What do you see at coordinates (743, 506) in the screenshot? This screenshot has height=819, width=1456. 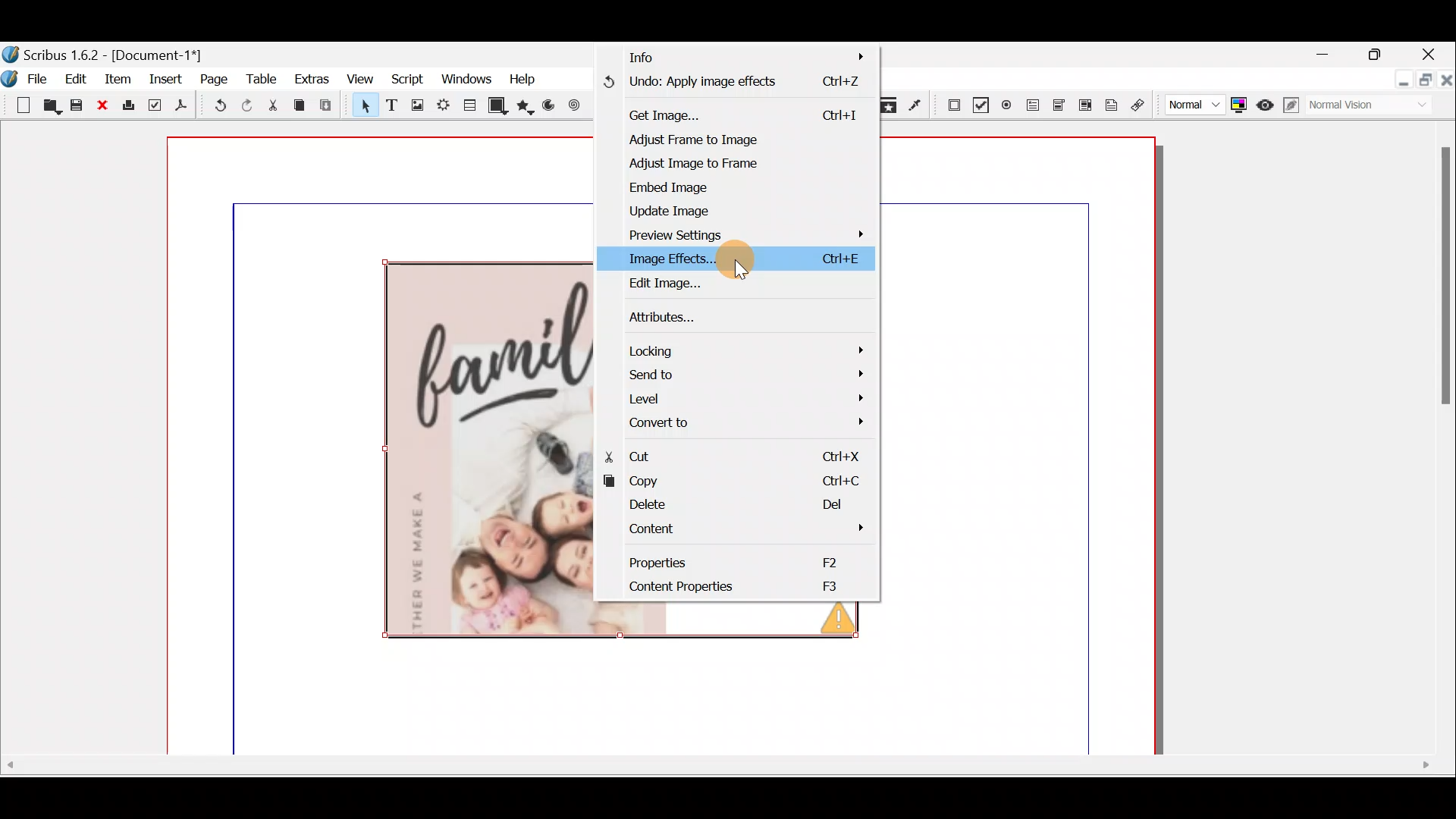 I see `Delete` at bounding box center [743, 506].